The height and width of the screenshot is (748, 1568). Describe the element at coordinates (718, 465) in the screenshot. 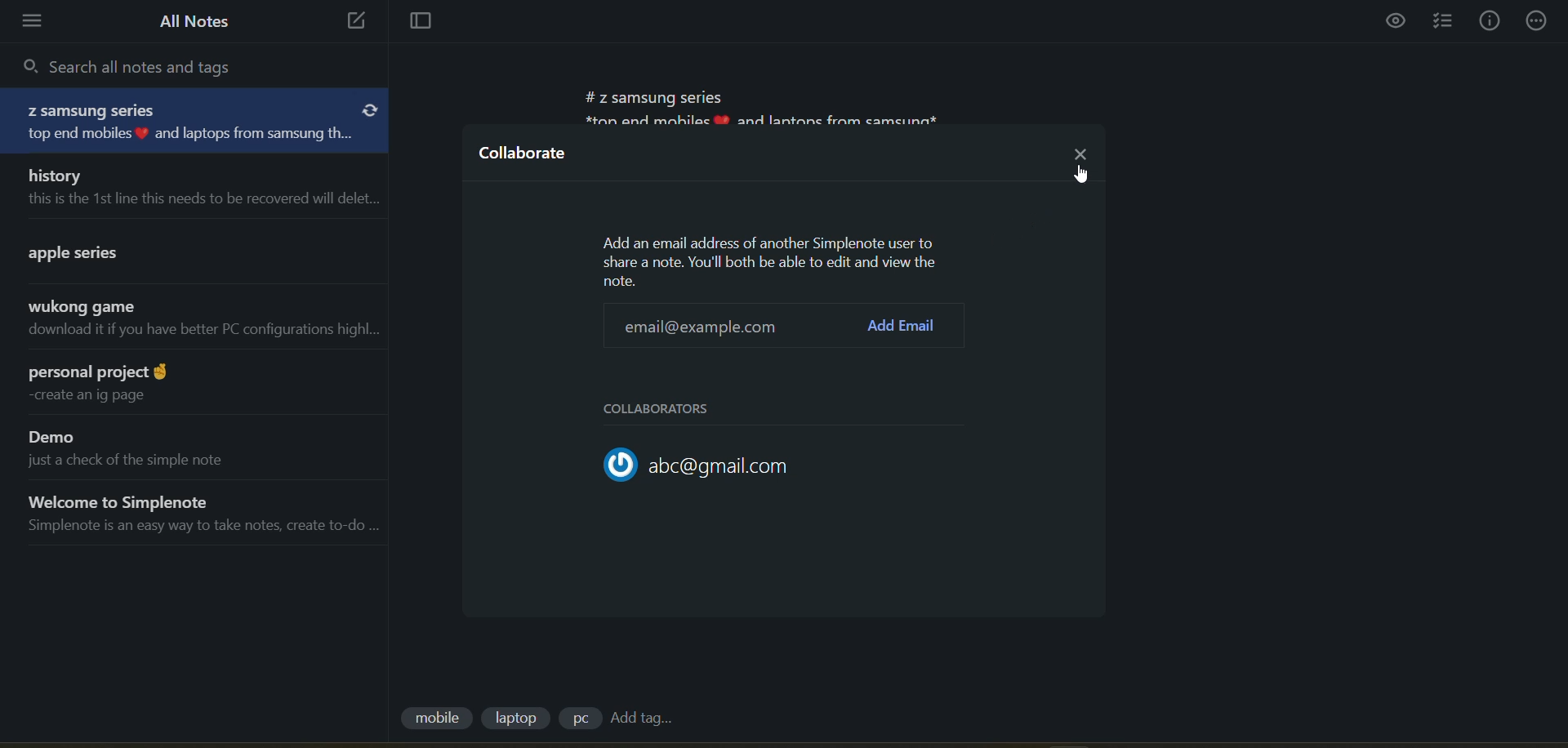

I see `collaborator` at that location.